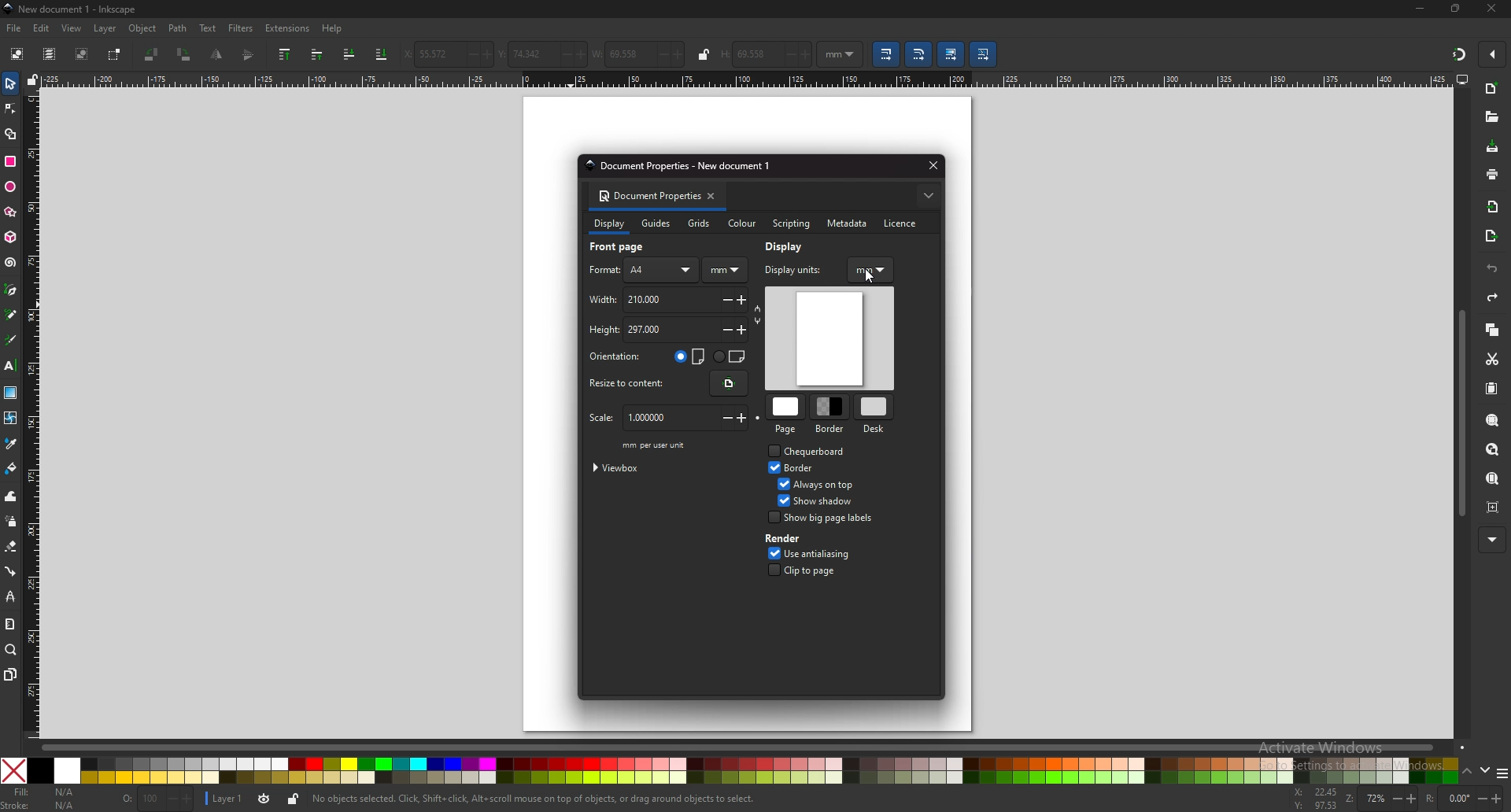 The height and width of the screenshot is (812, 1511). Describe the element at coordinates (930, 165) in the screenshot. I see `close` at that location.